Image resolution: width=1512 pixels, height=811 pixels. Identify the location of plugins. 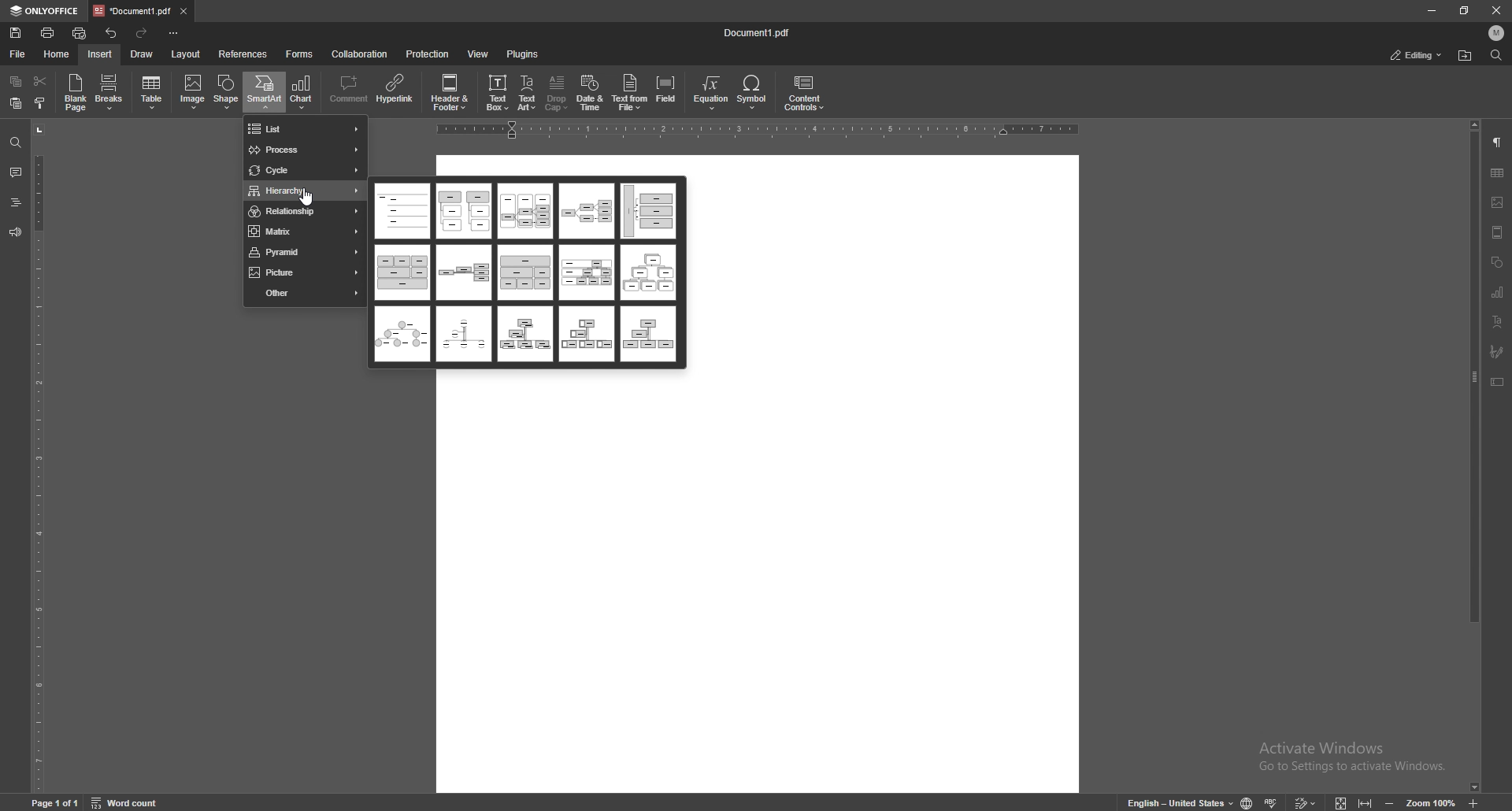
(523, 54).